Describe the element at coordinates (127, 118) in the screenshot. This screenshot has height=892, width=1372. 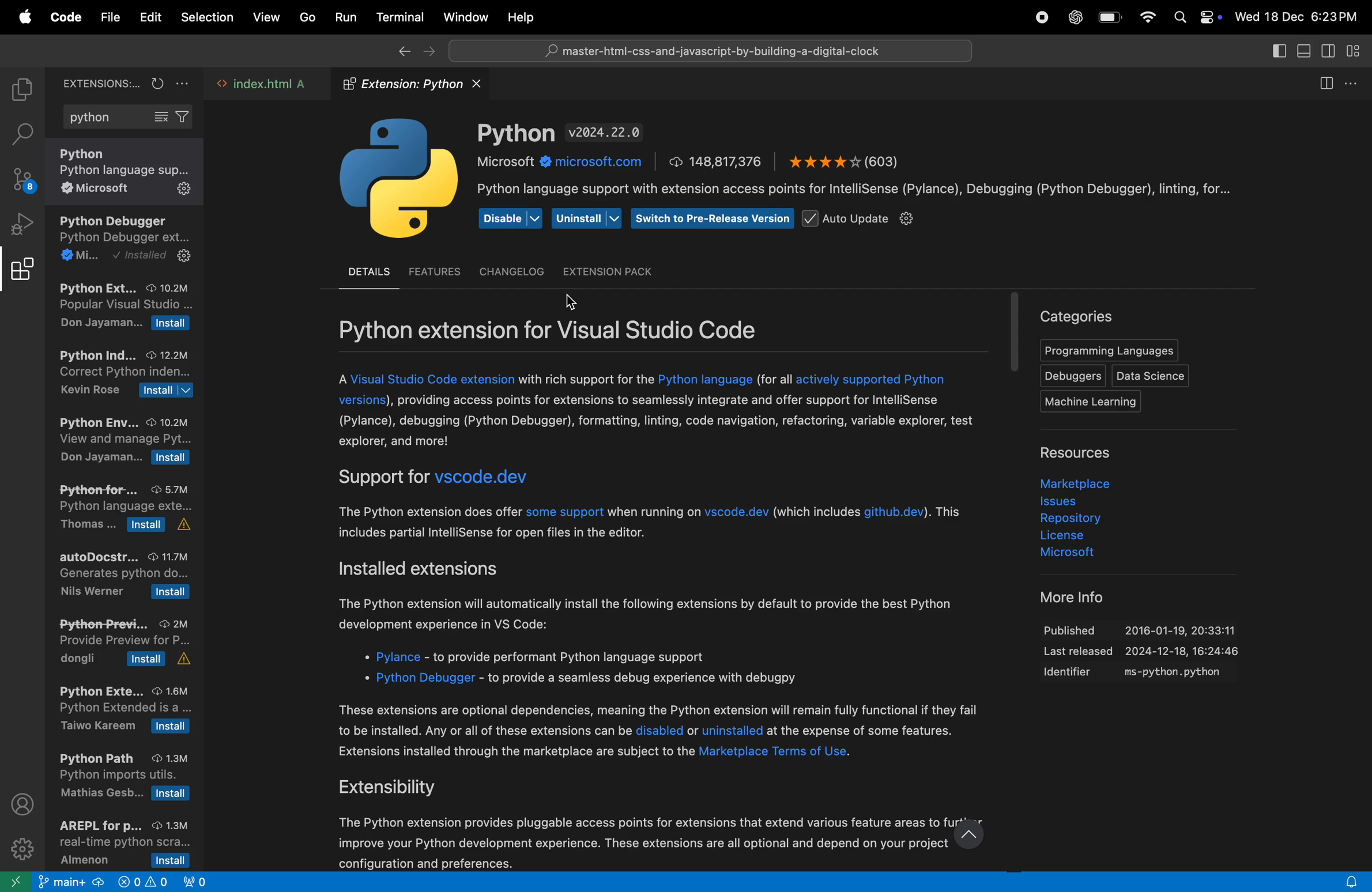
I see `python` at that location.